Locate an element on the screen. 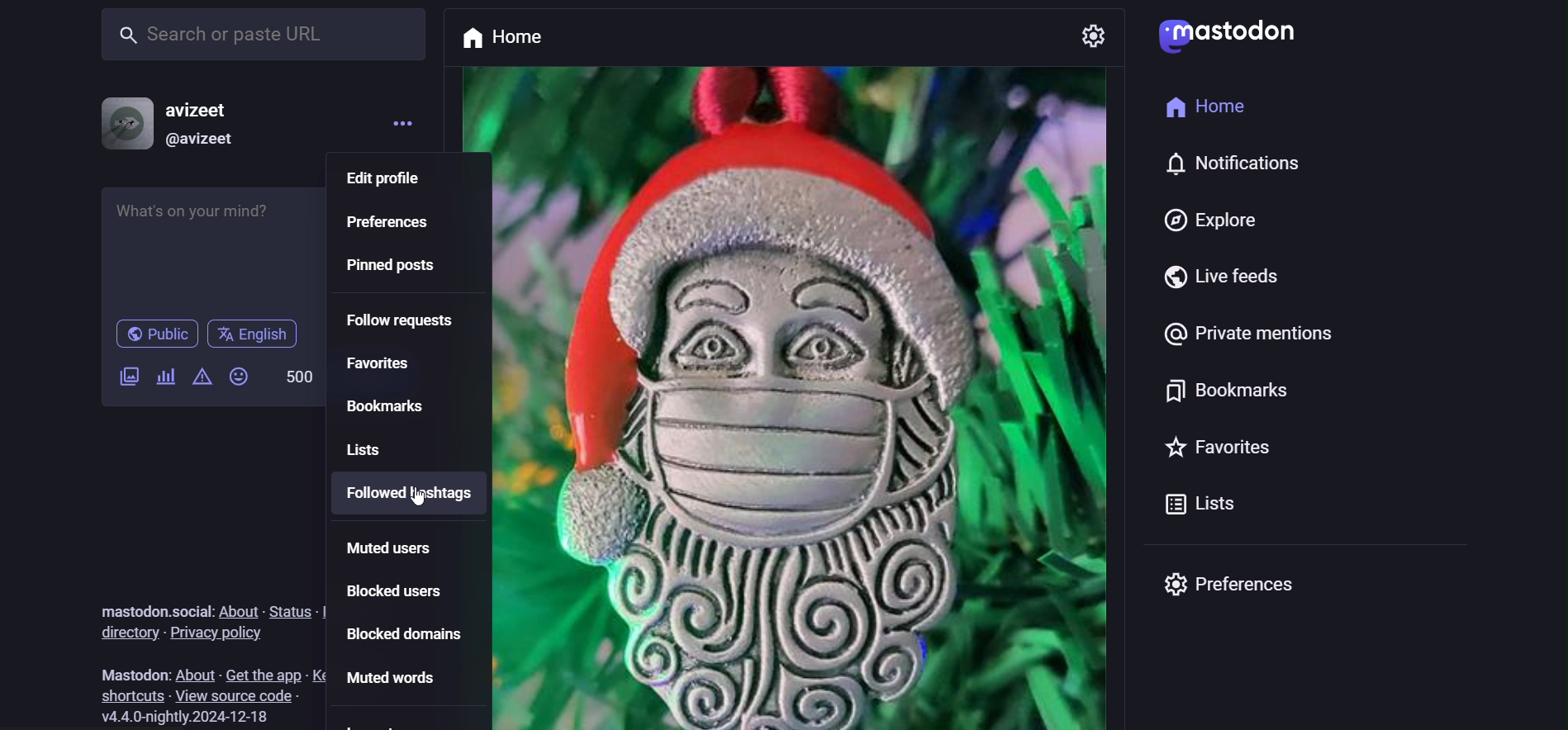  live feeds is located at coordinates (1225, 278).